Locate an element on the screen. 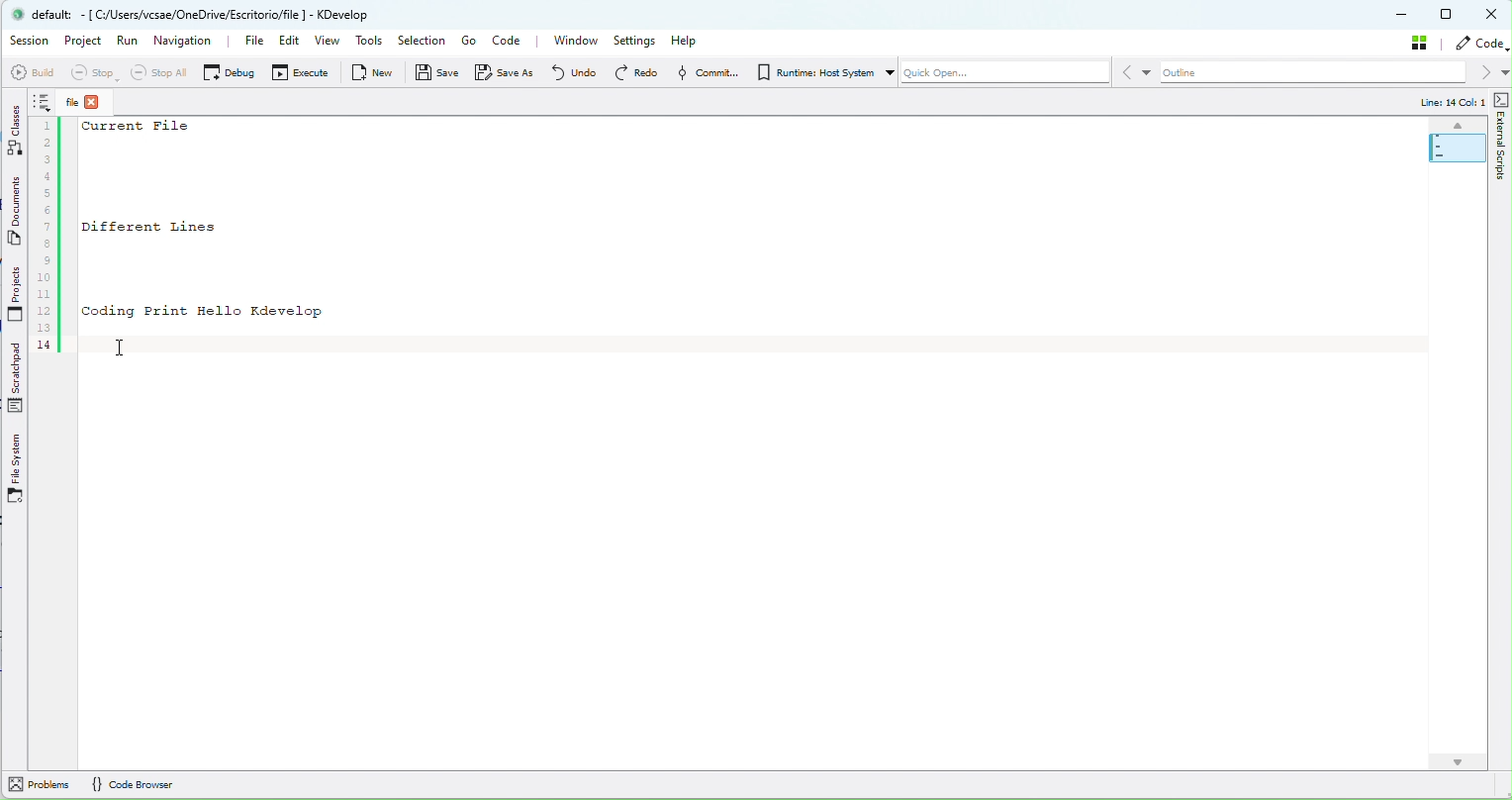 This screenshot has height=800, width=1512. Debug is located at coordinates (229, 71).